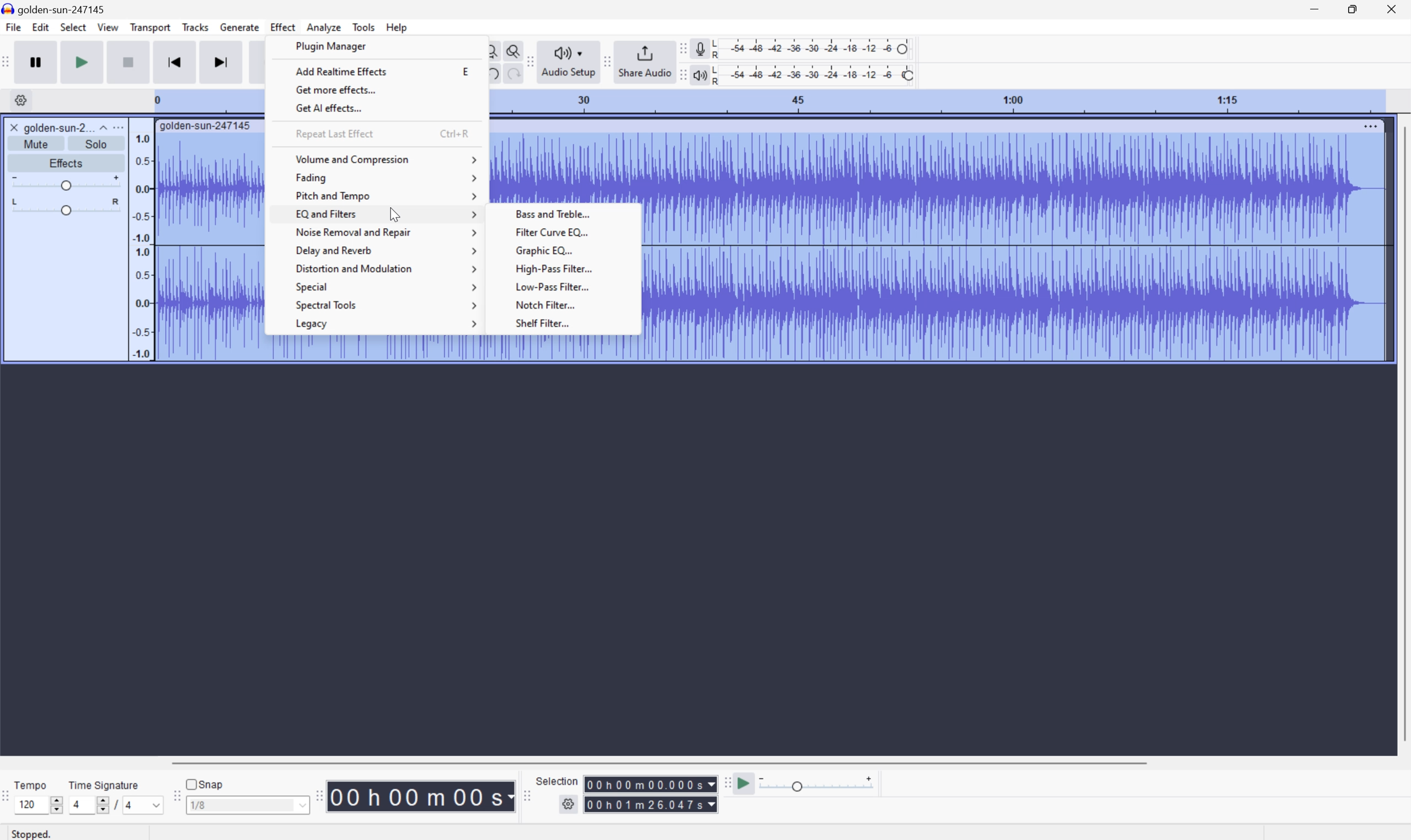 This screenshot has width=1411, height=840. Describe the element at coordinates (1370, 126) in the screenshot. I see `More` at that location.